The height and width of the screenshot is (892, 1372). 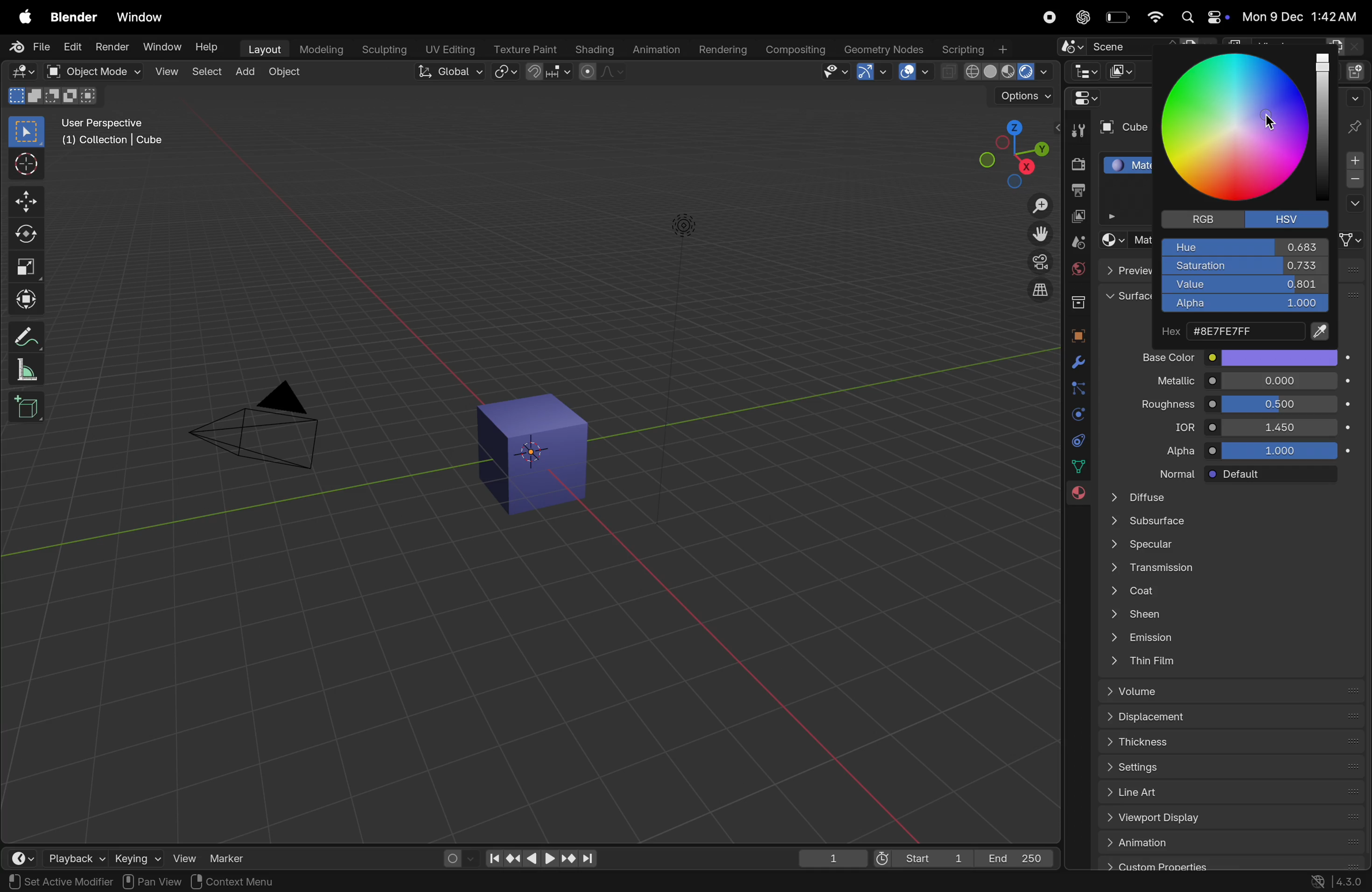 I want to click on object mode, so click(x=91, y=71).